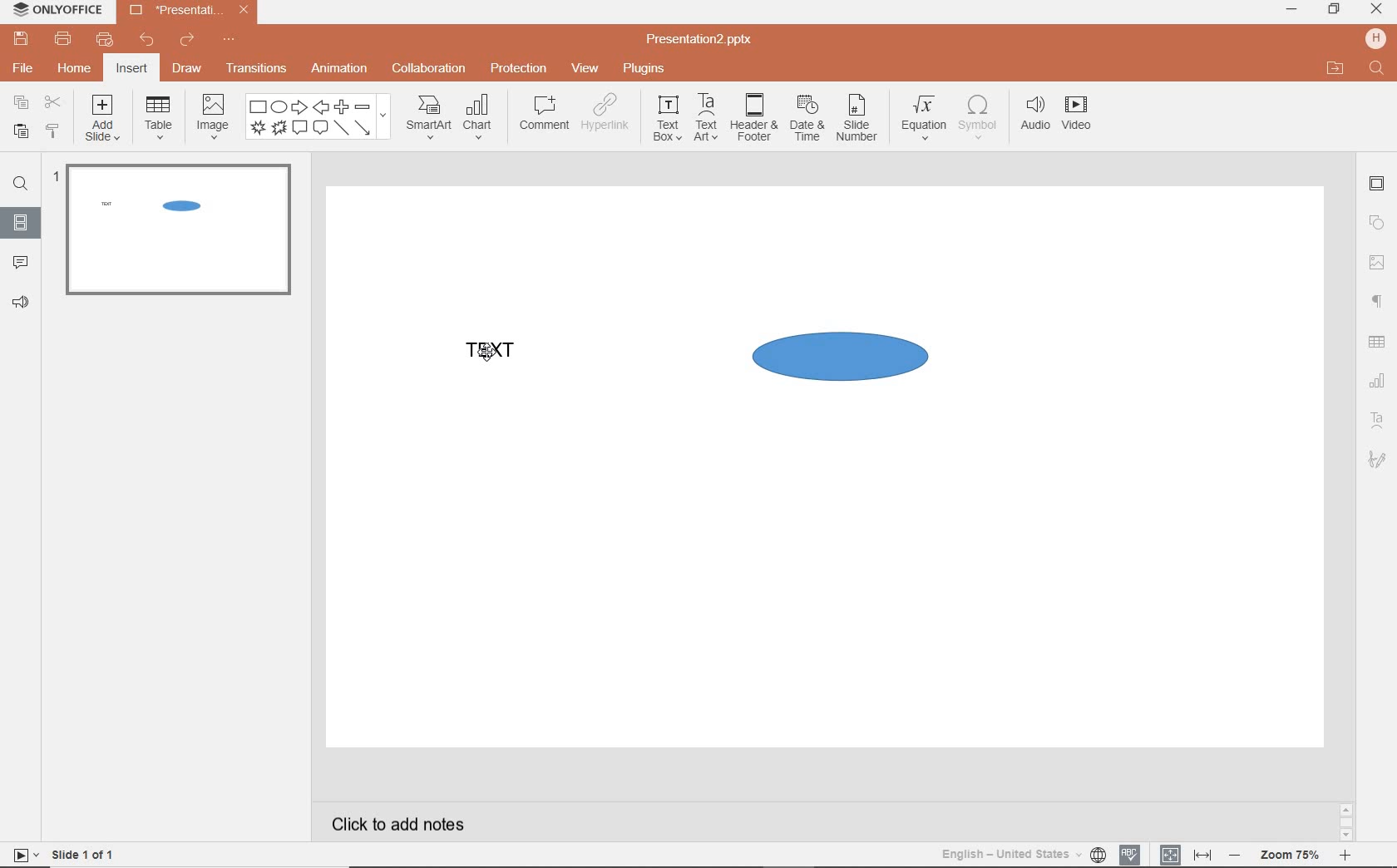 The width and height of the screenshot is (1397, 868). I want to click on OPEN FILE LOCATION, so click(1333, 66).